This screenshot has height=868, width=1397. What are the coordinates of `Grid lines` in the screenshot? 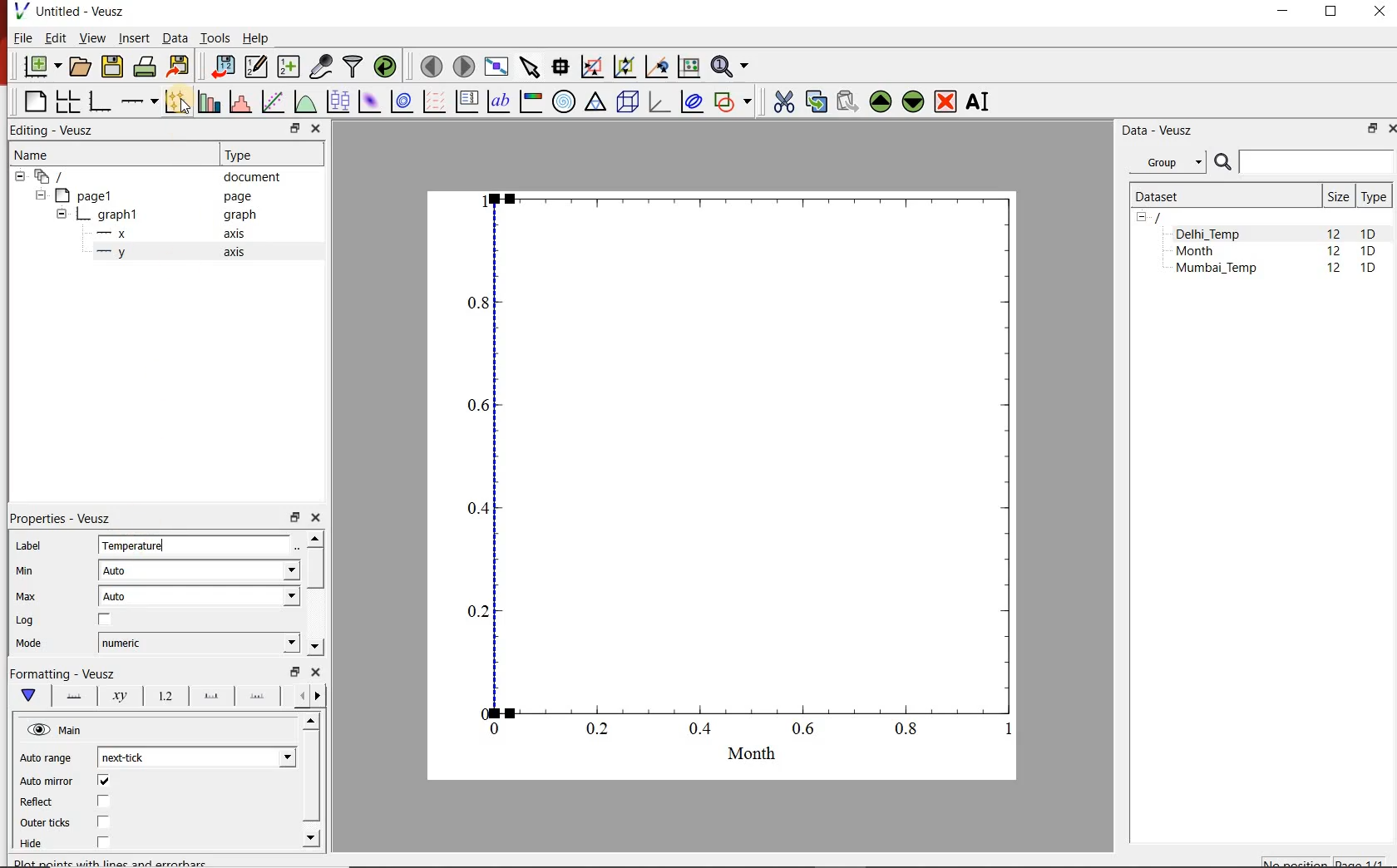 It's located at (310, 698).